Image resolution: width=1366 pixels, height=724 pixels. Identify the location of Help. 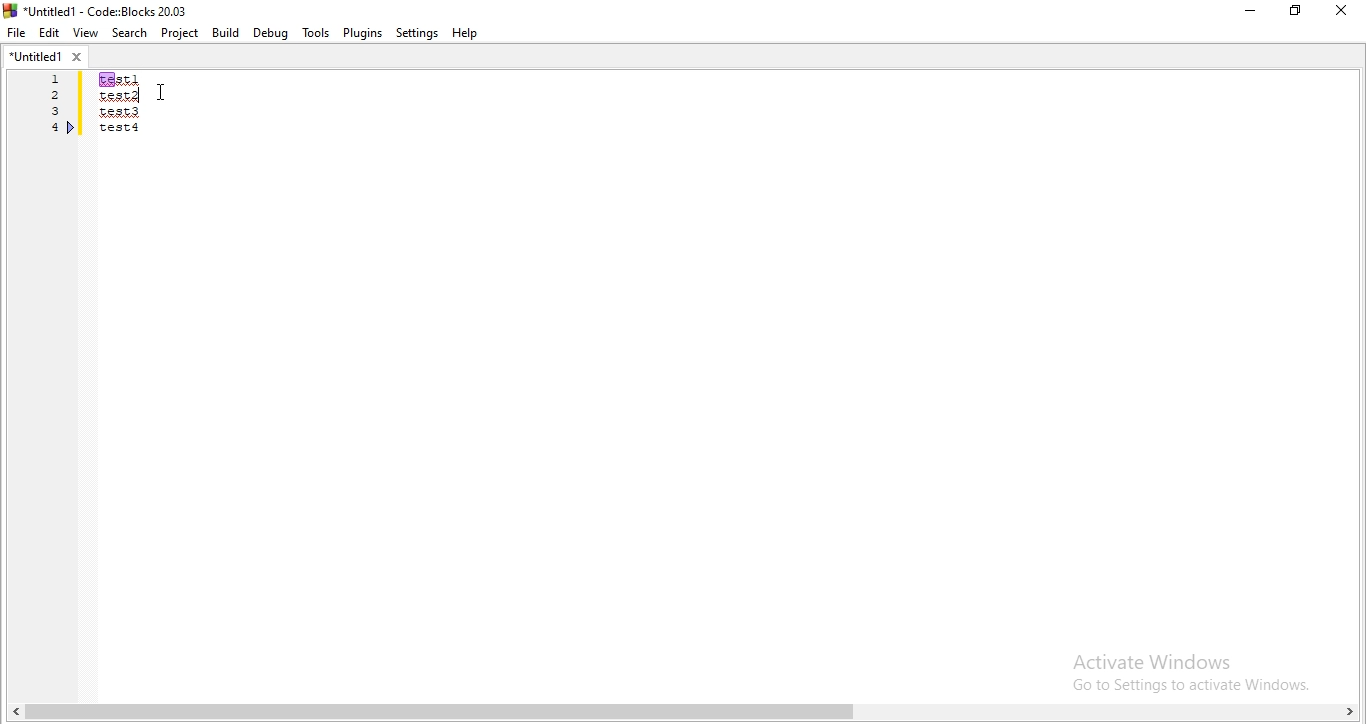
(469, 35).